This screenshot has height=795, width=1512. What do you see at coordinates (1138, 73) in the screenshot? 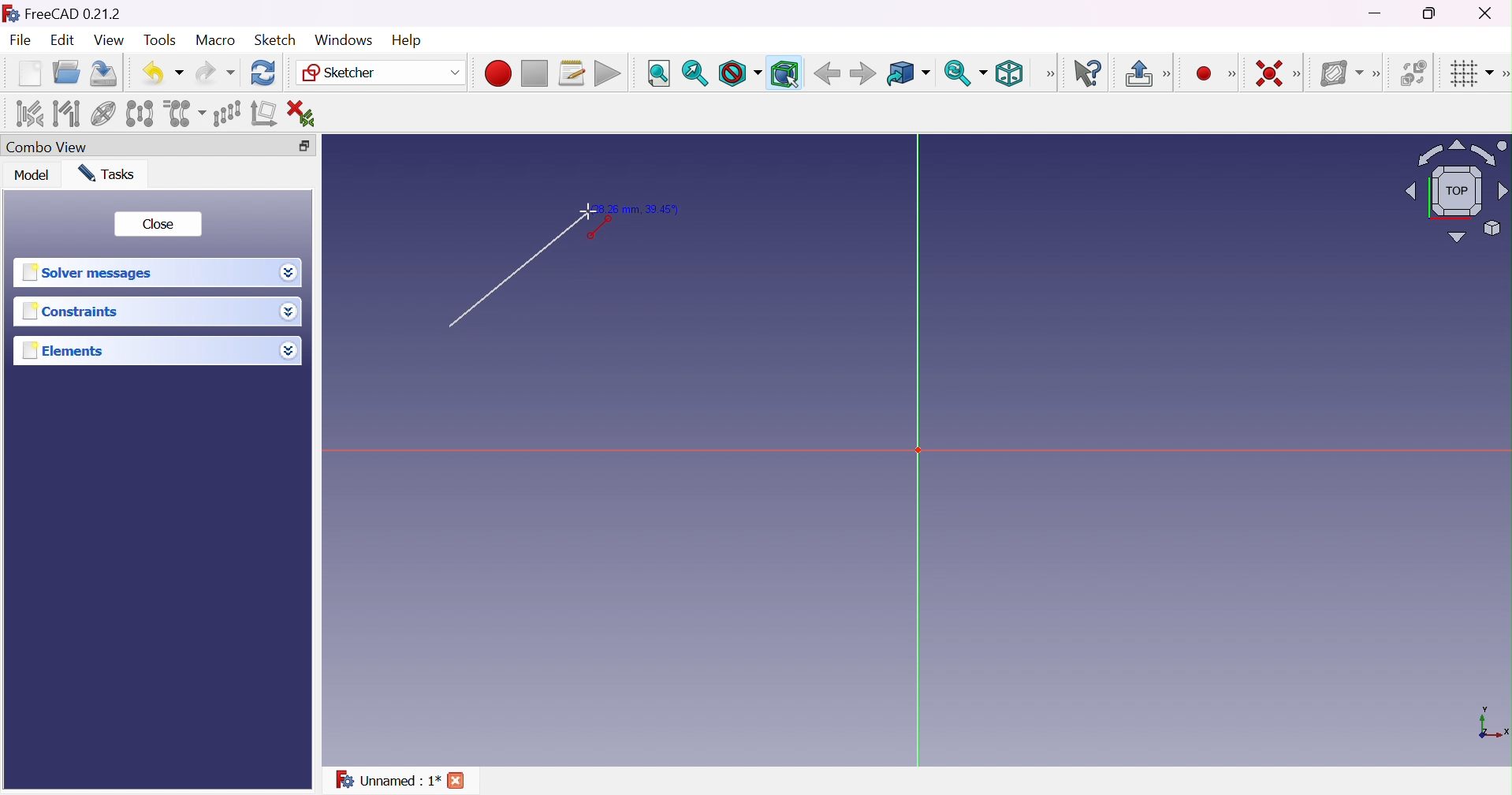
I see `` at bounding box center [1138, 73].